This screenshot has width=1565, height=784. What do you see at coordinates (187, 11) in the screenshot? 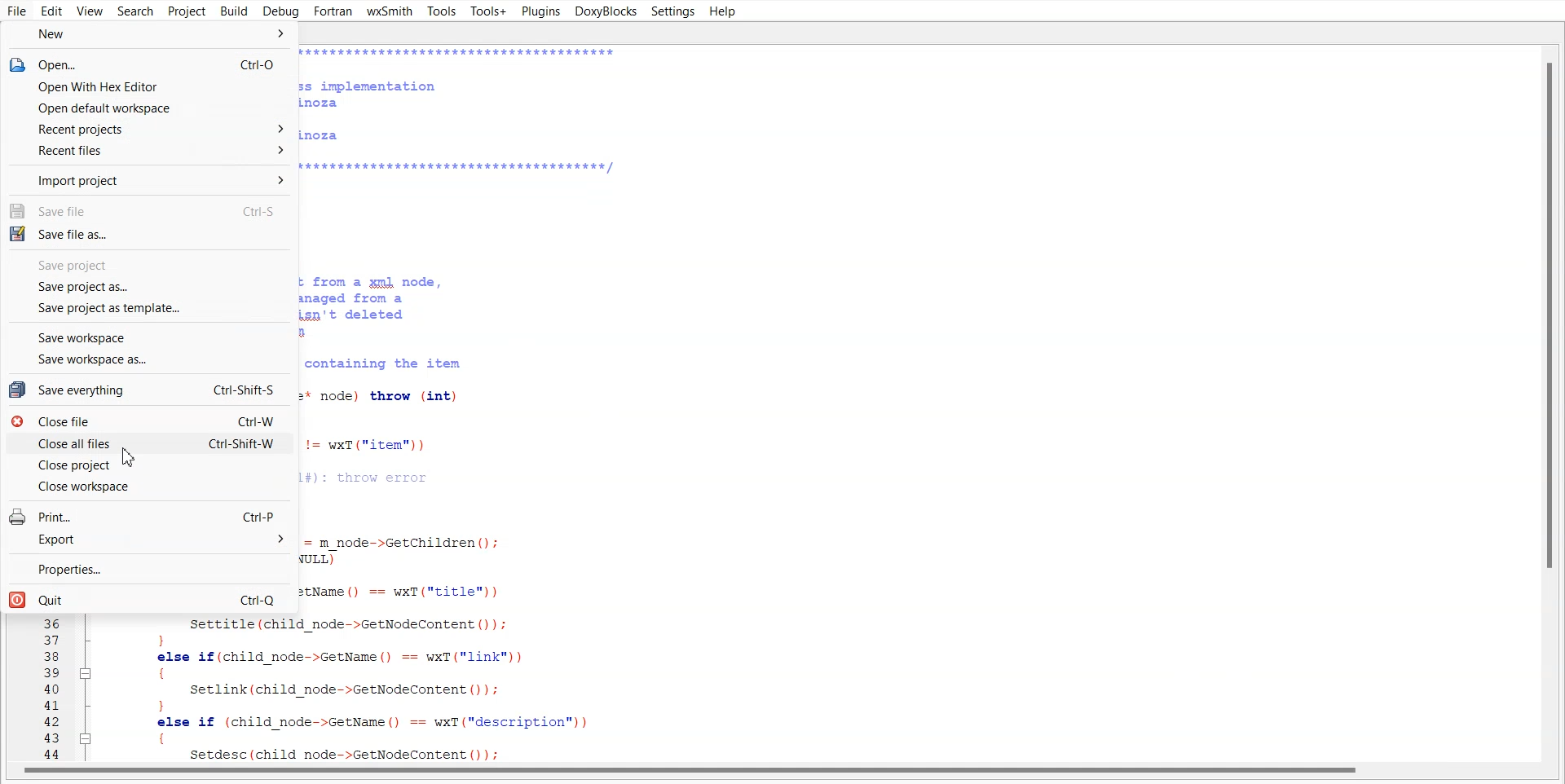
I see `Project` at bounding box center [187, 11].